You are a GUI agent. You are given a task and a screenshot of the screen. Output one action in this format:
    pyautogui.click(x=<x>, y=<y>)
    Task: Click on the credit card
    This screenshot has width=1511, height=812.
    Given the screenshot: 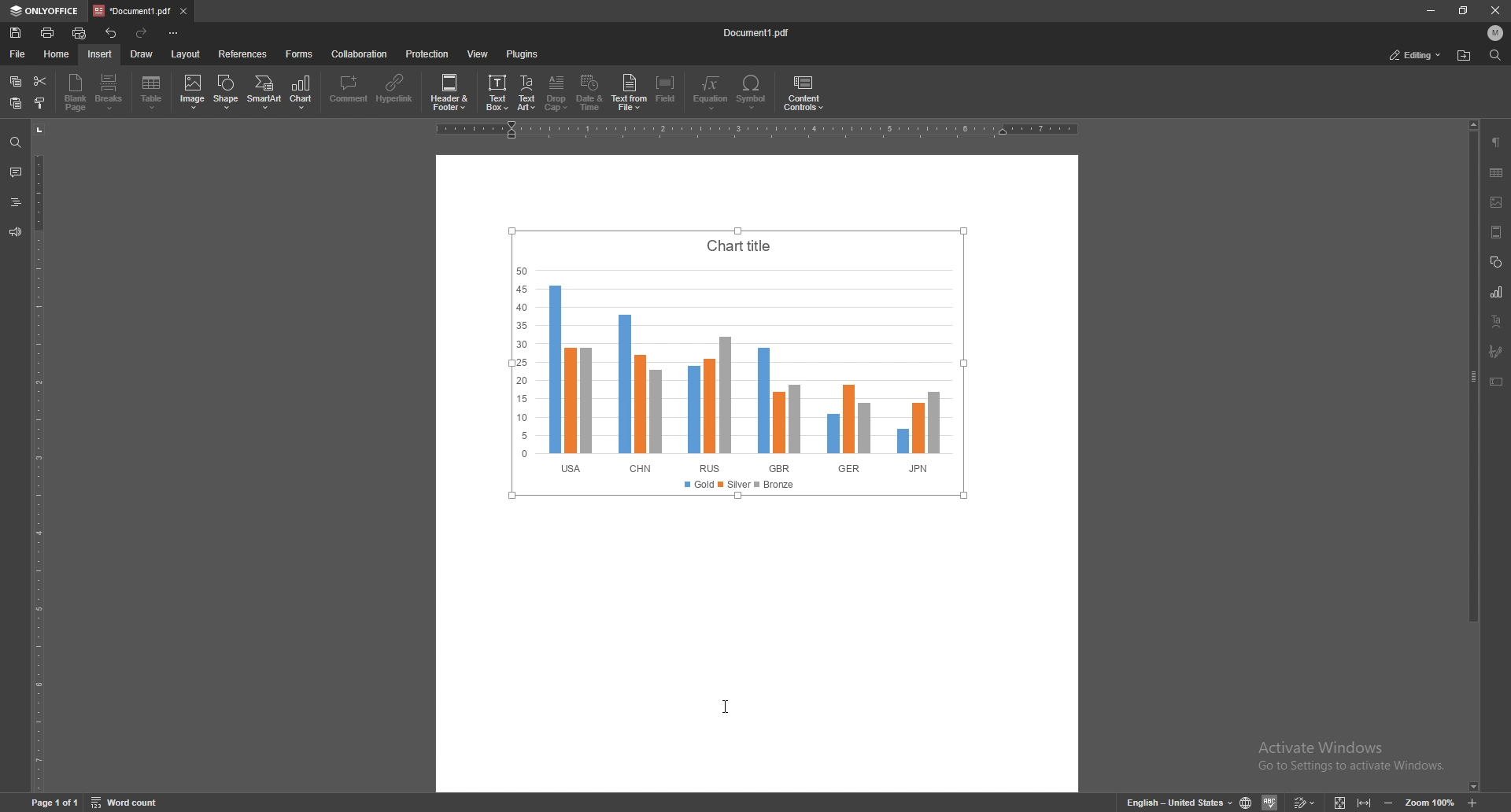 What is the action you would take?
    pyautogui.click(x=495, y=92)
    